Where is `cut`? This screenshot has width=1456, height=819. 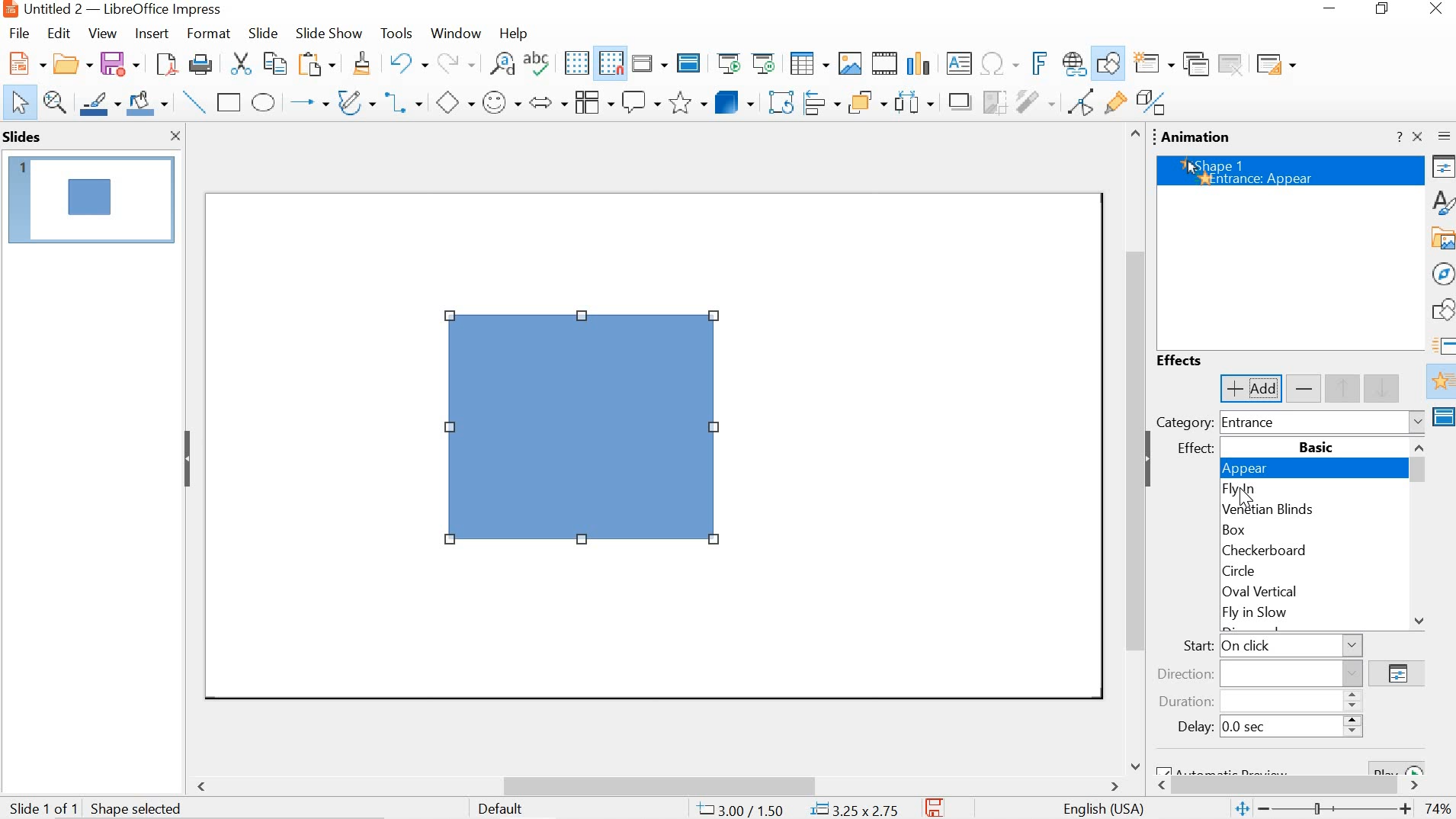 cut is located at coordinates (244, 64).